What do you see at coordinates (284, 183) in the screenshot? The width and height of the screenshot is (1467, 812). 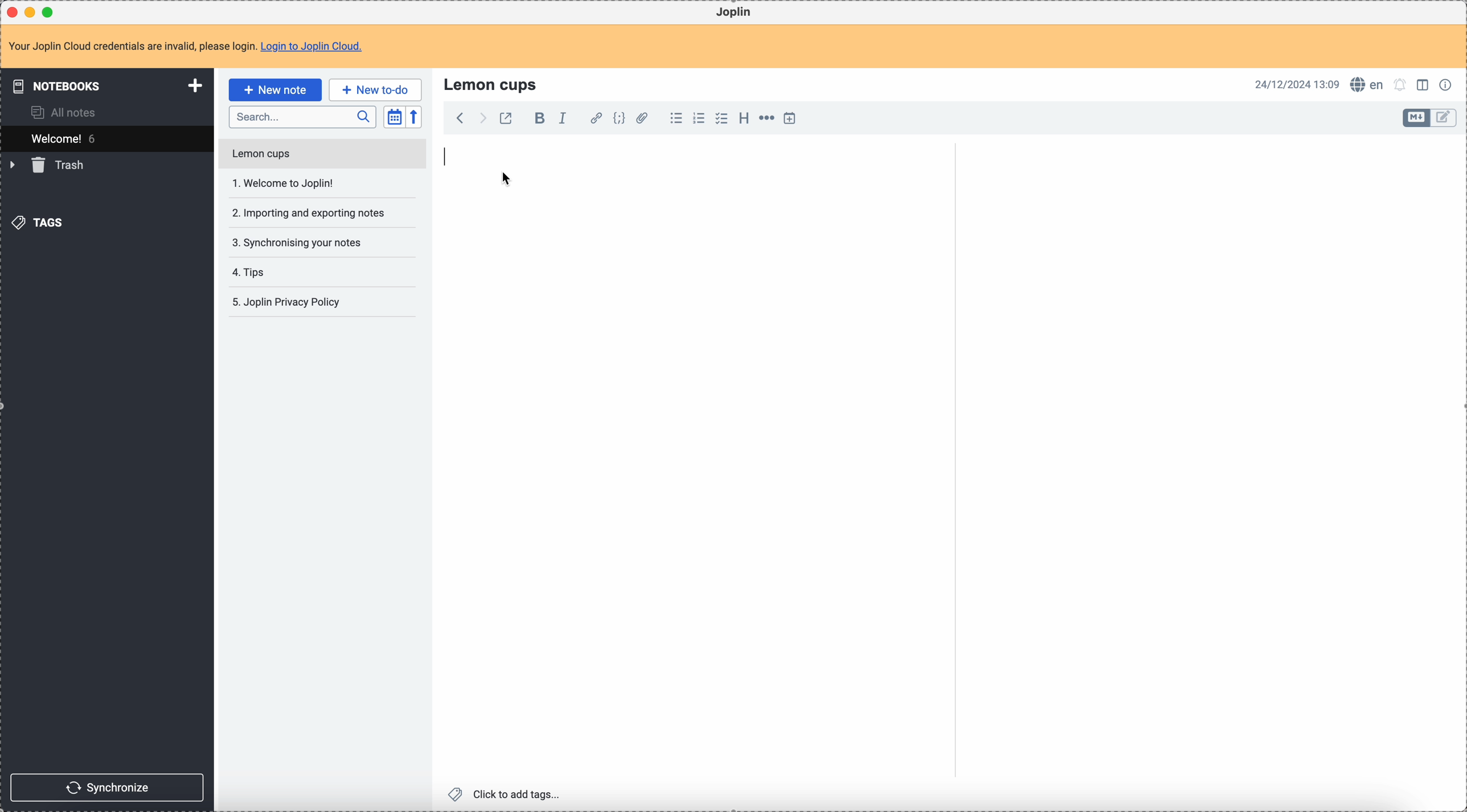 I see `welcome to Joplin!` at bounding box center [284, 183].